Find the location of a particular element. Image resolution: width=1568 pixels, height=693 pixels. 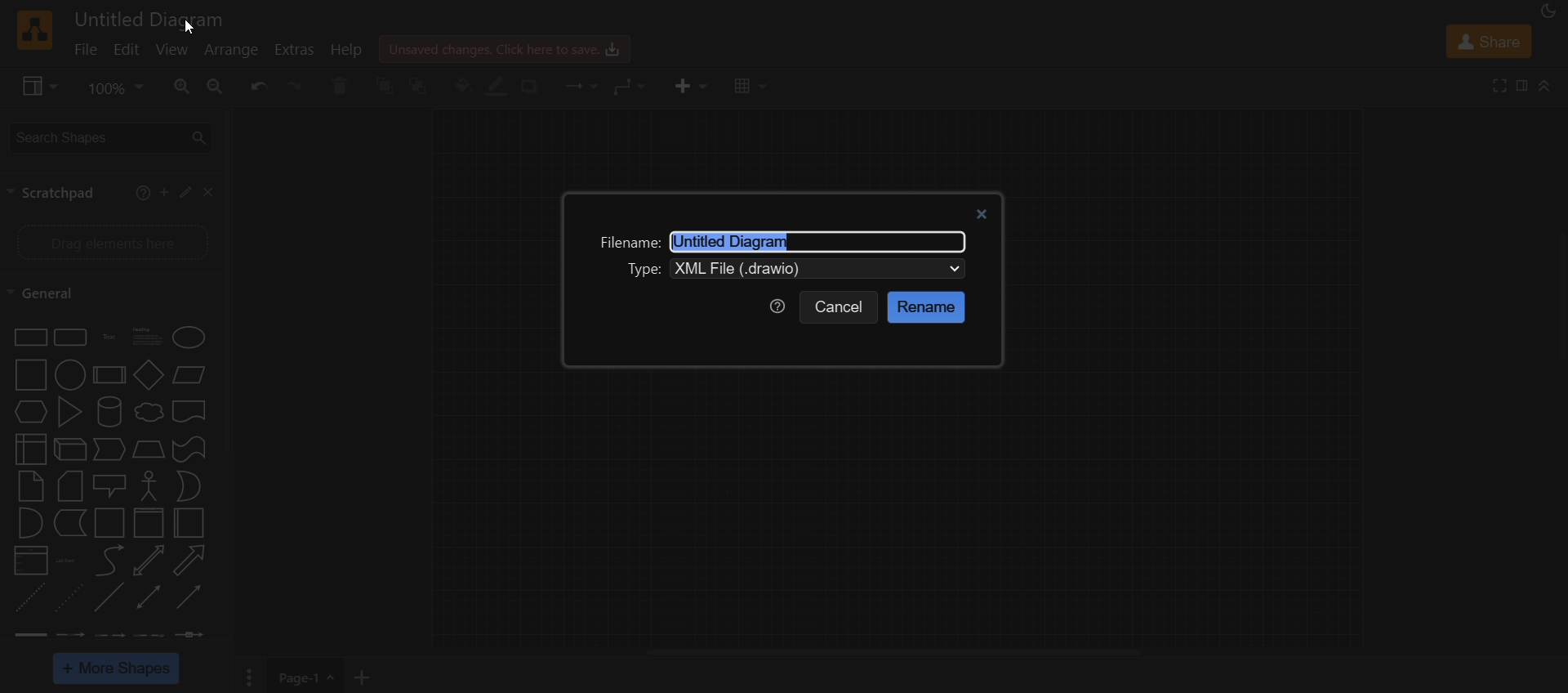

delete is located at coordinates (345, 87).